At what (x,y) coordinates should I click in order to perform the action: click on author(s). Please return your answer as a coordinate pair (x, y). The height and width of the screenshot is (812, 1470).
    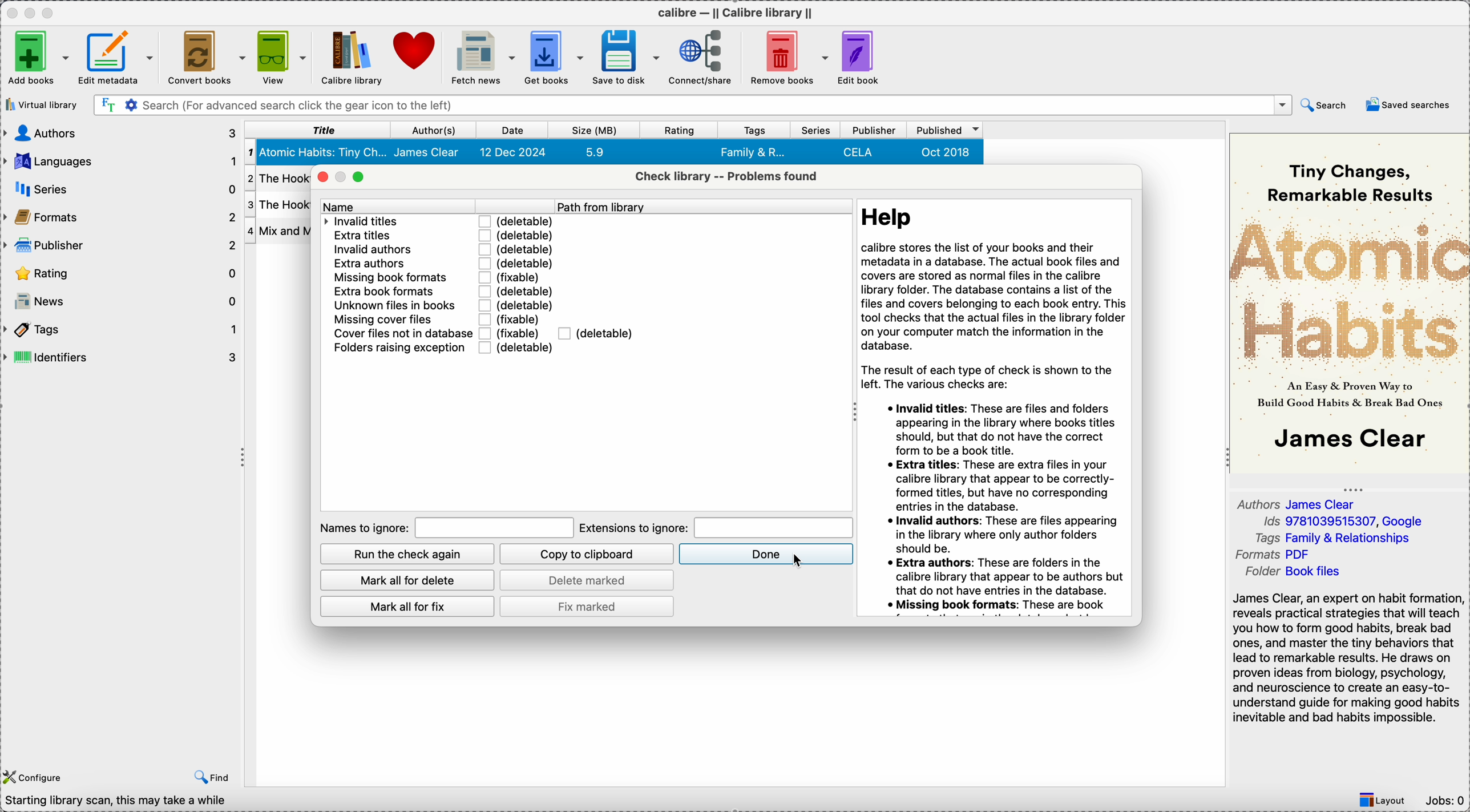
    Looking at the image, I should click on (431, 130).